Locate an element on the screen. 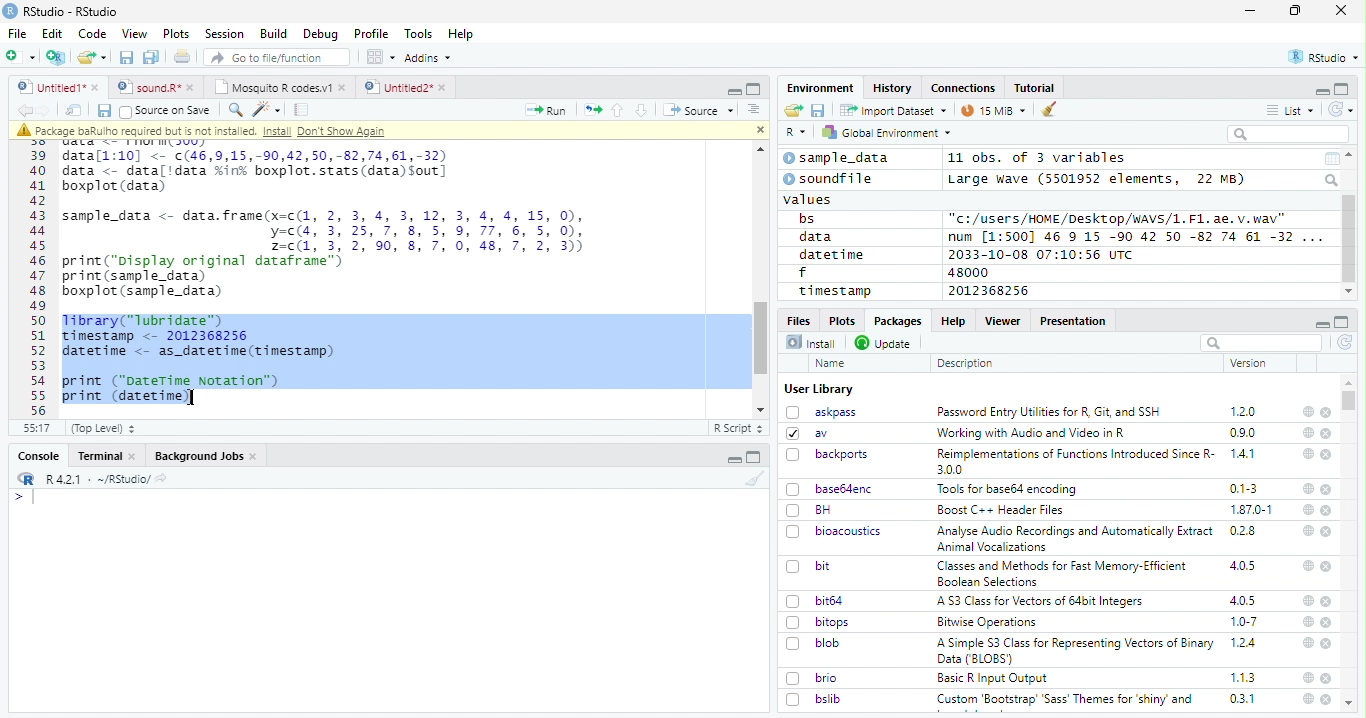 This screenshot has height=718, width=1366. open an existing file is located at coordinates (91, 58).